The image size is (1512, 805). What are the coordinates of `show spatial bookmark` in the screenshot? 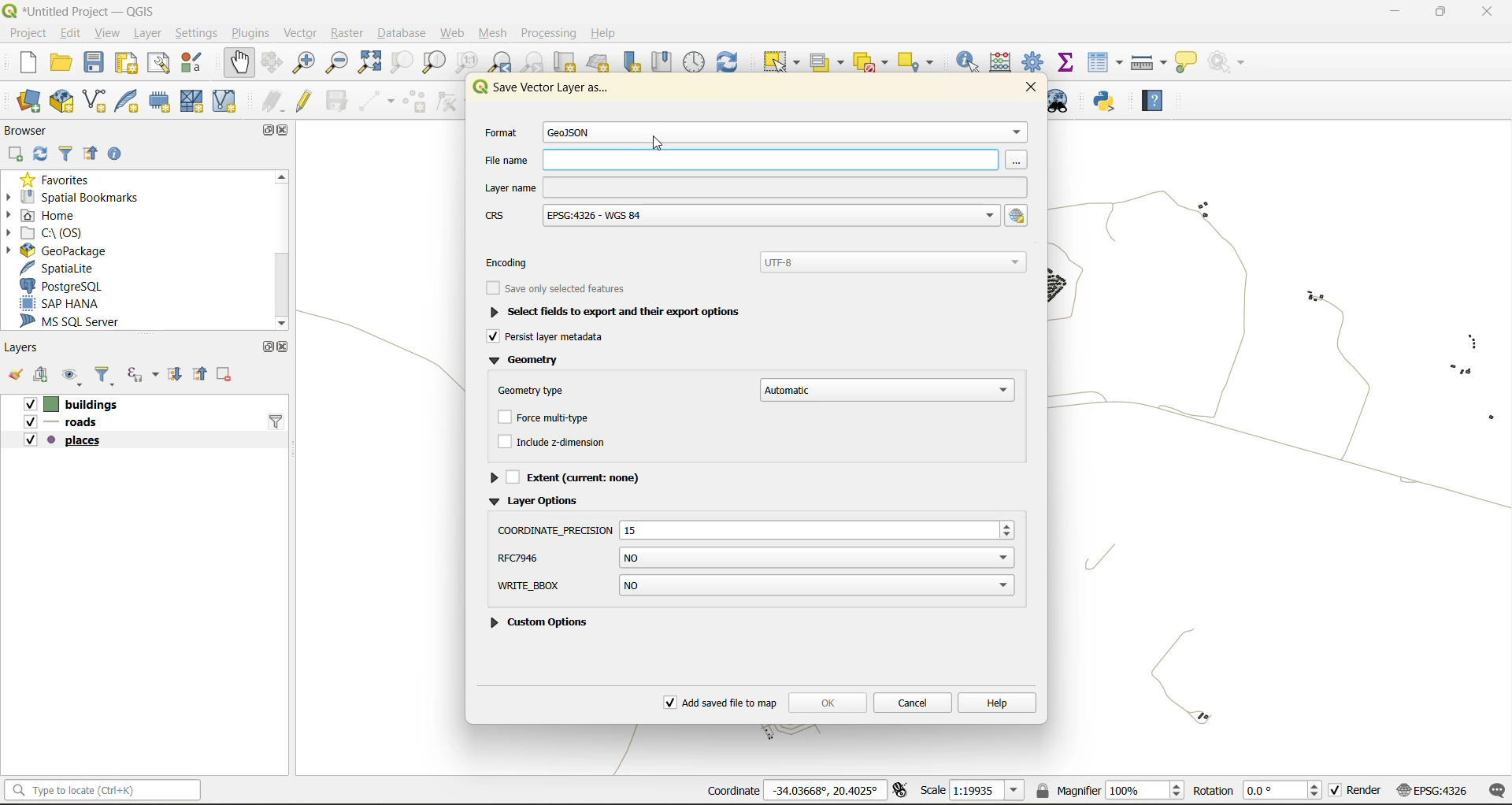 It's located at (667, 61).